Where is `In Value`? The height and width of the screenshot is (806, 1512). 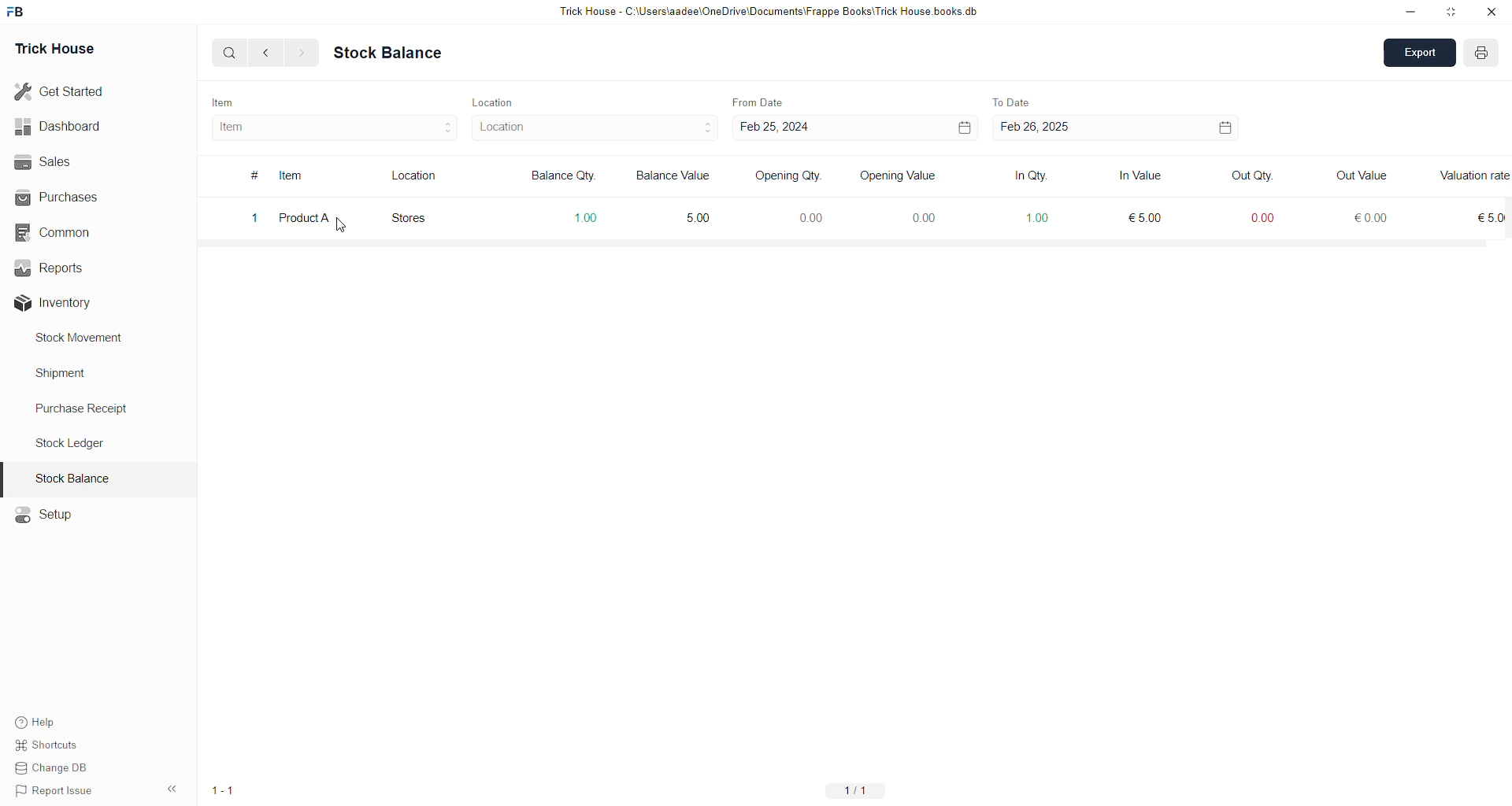 In Value is located at coordinates (1141, 176).